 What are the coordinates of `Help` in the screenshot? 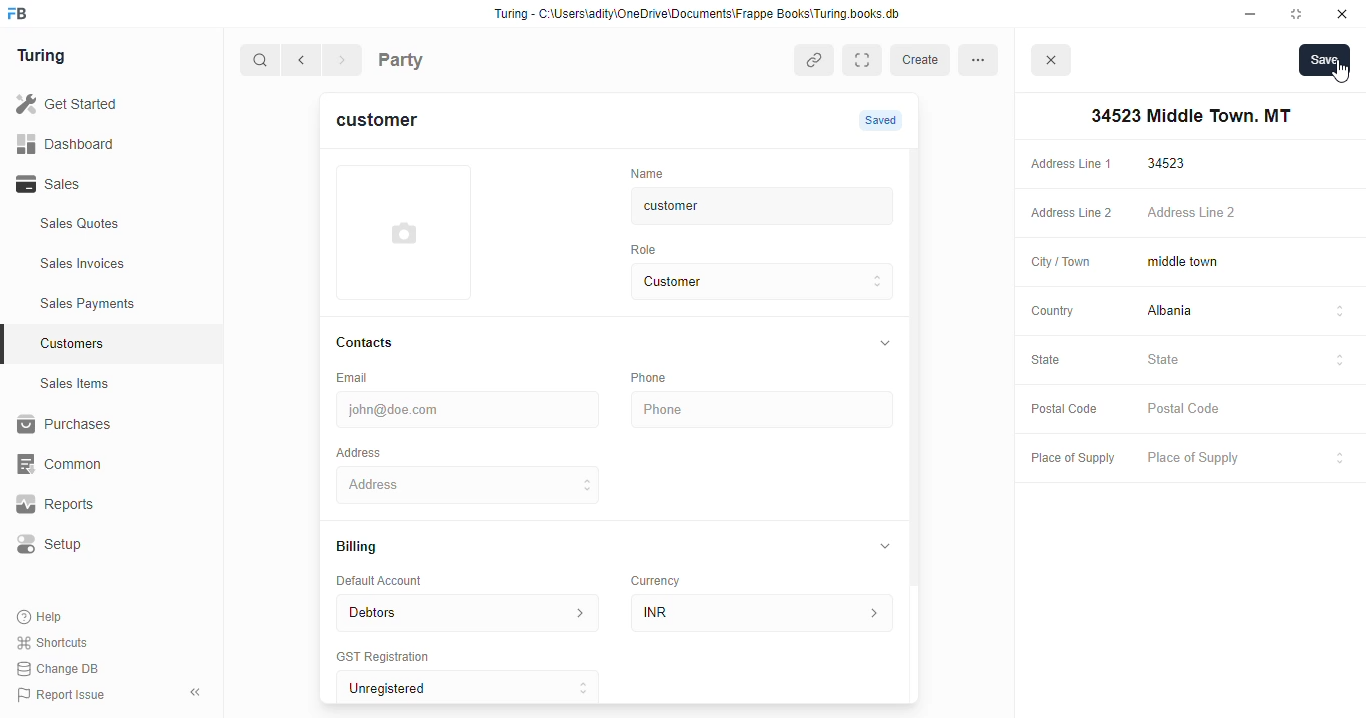 It's located at (42, 618).